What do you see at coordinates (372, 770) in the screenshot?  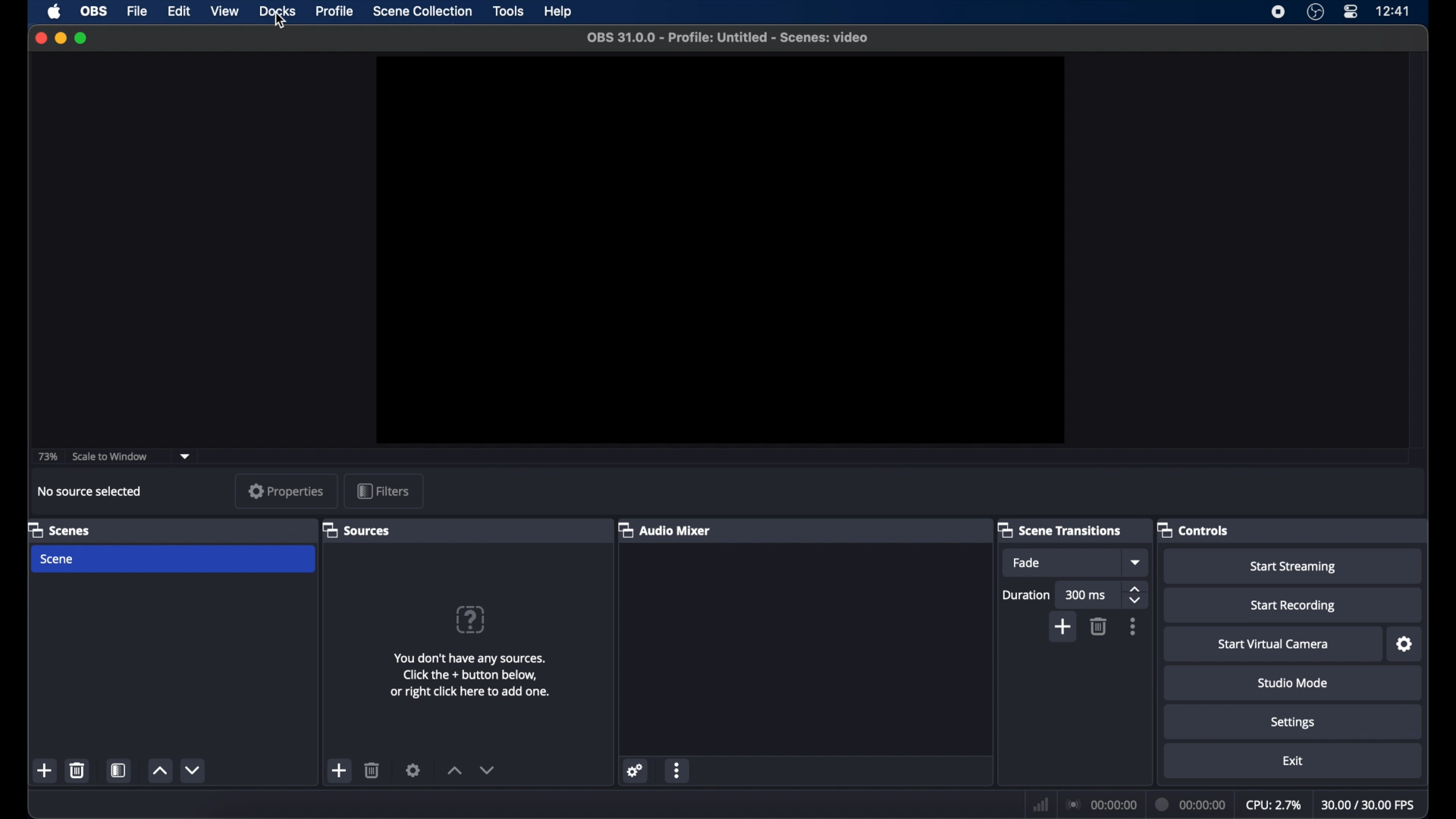 I see `delete` at bounding box center [372, 770].